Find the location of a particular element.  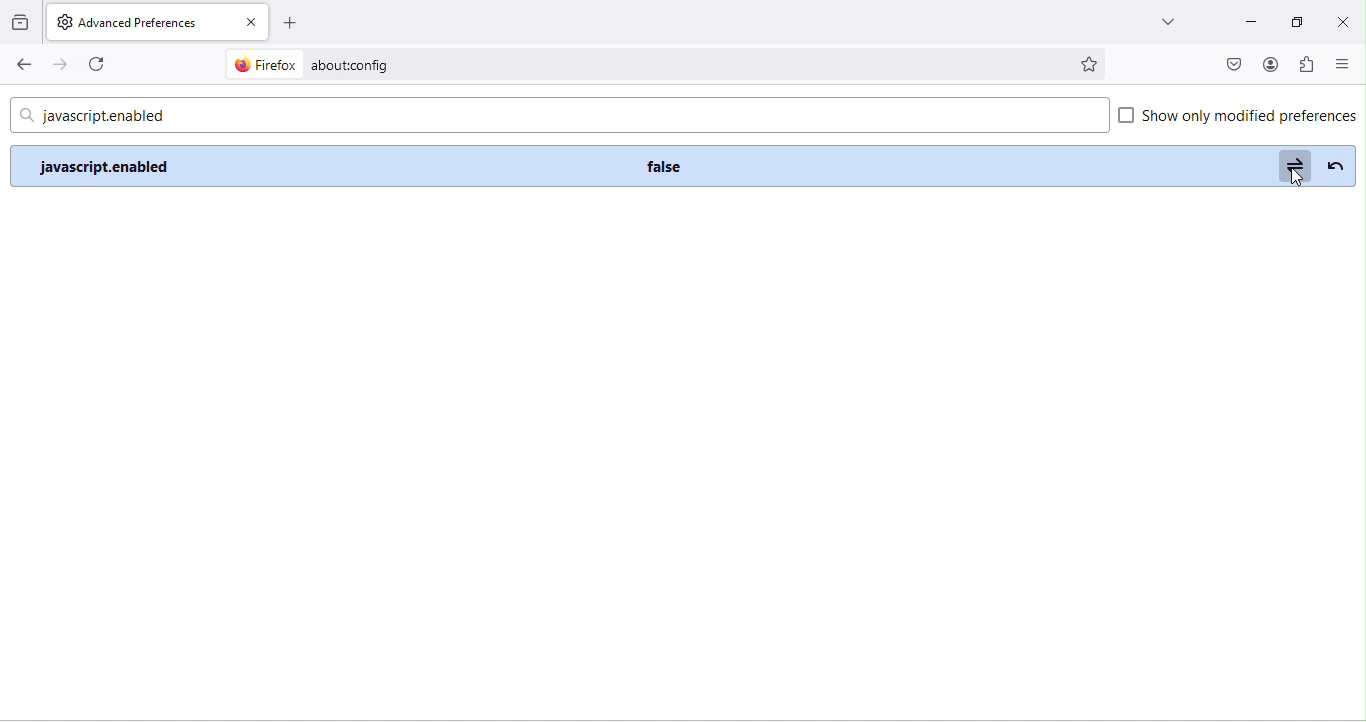

extension is located at coordinates (1309, 65).